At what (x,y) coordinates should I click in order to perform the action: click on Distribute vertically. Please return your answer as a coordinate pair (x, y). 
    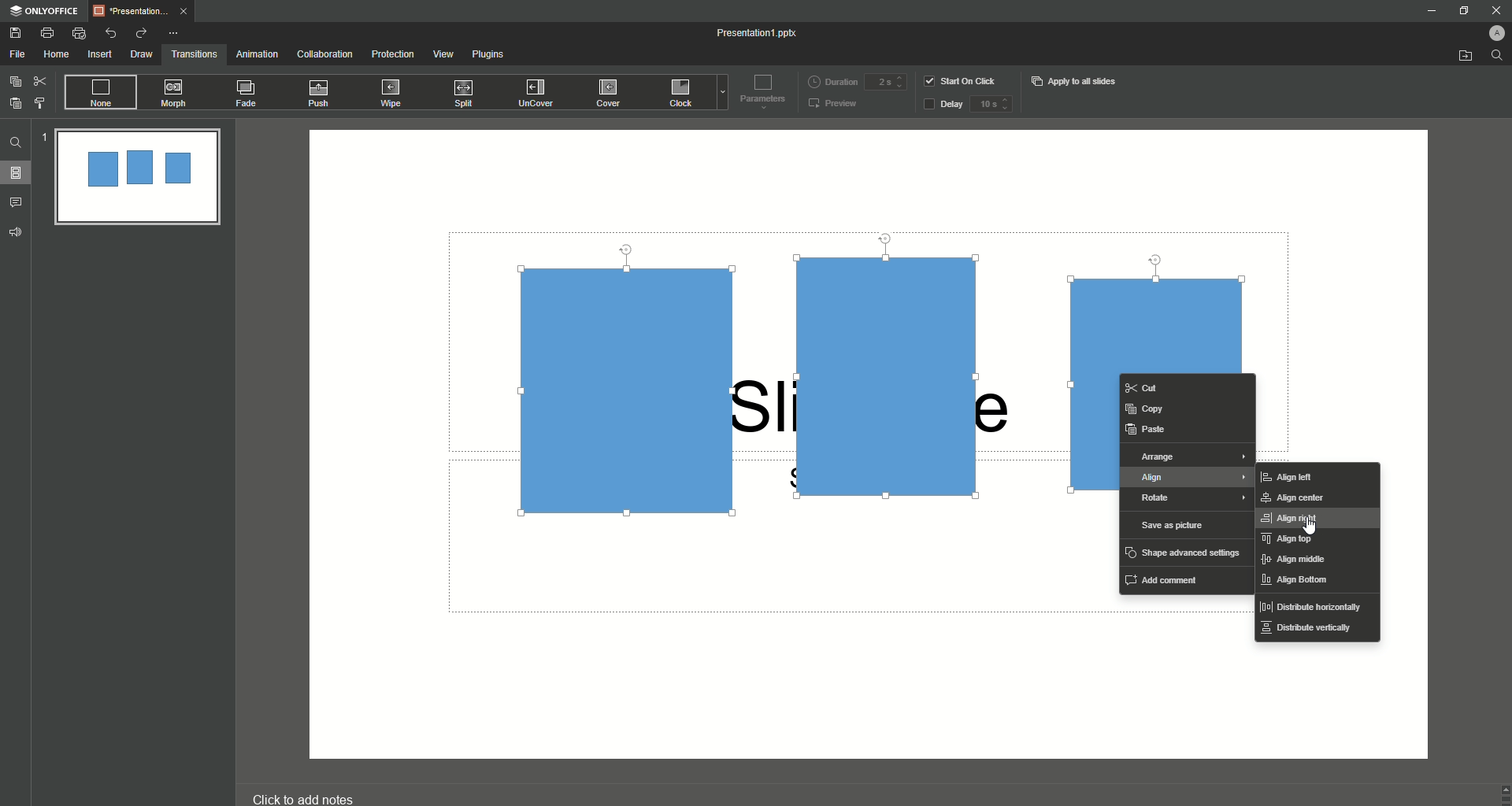
    Looking at the image, I should click on (1306, 633).